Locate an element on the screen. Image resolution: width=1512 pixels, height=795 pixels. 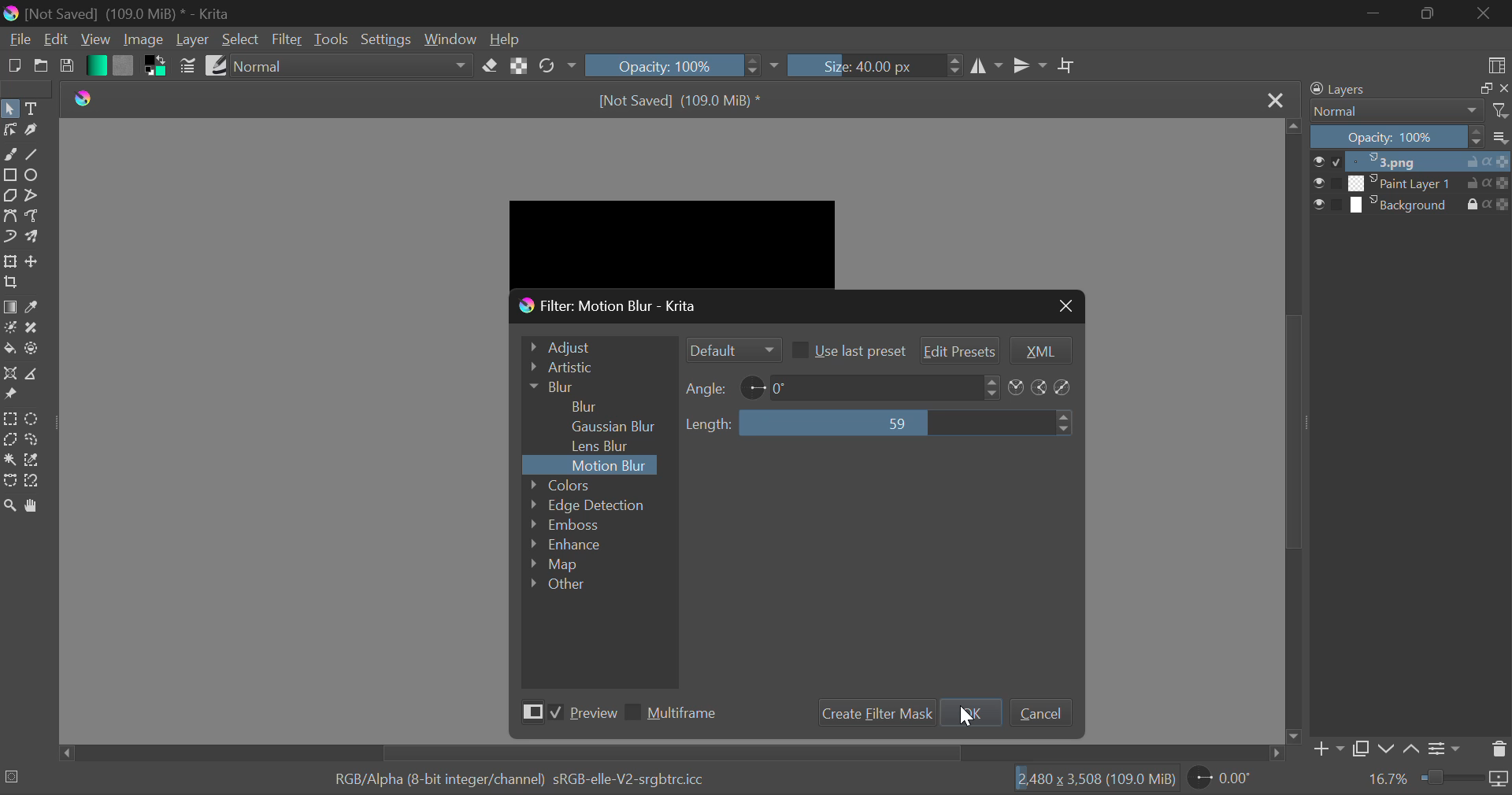
Choose Workspace is located at coordinates (1496, 65).